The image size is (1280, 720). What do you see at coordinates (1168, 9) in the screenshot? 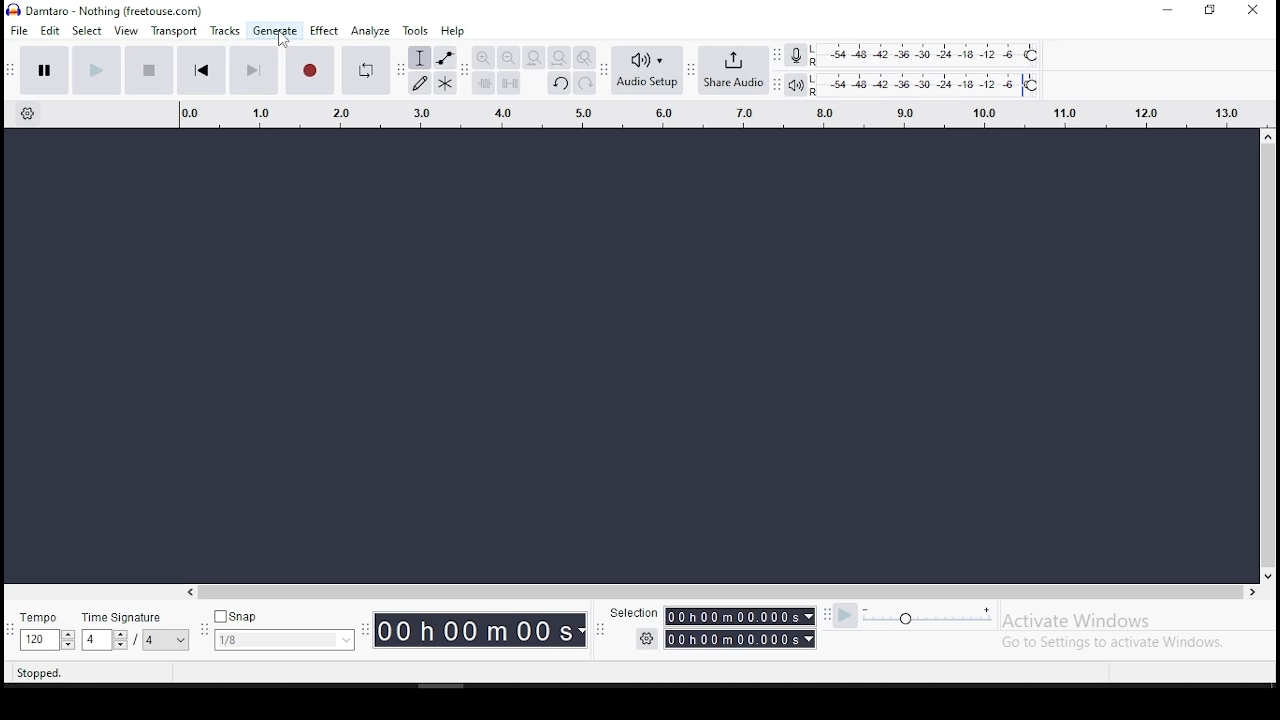
I see `` at bounding box center [1168, 9].